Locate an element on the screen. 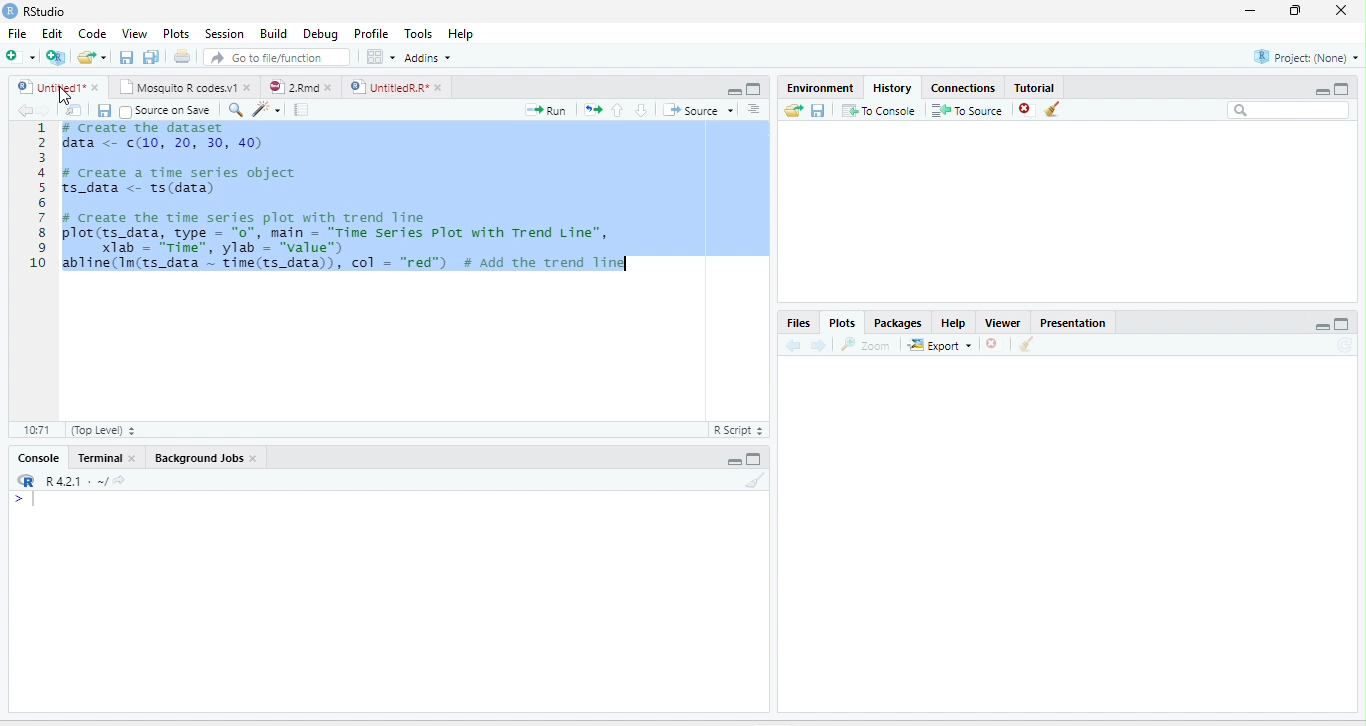 The width and height of the screenshot is (1366, 726). minimize is located at coordinates (1250, 11).